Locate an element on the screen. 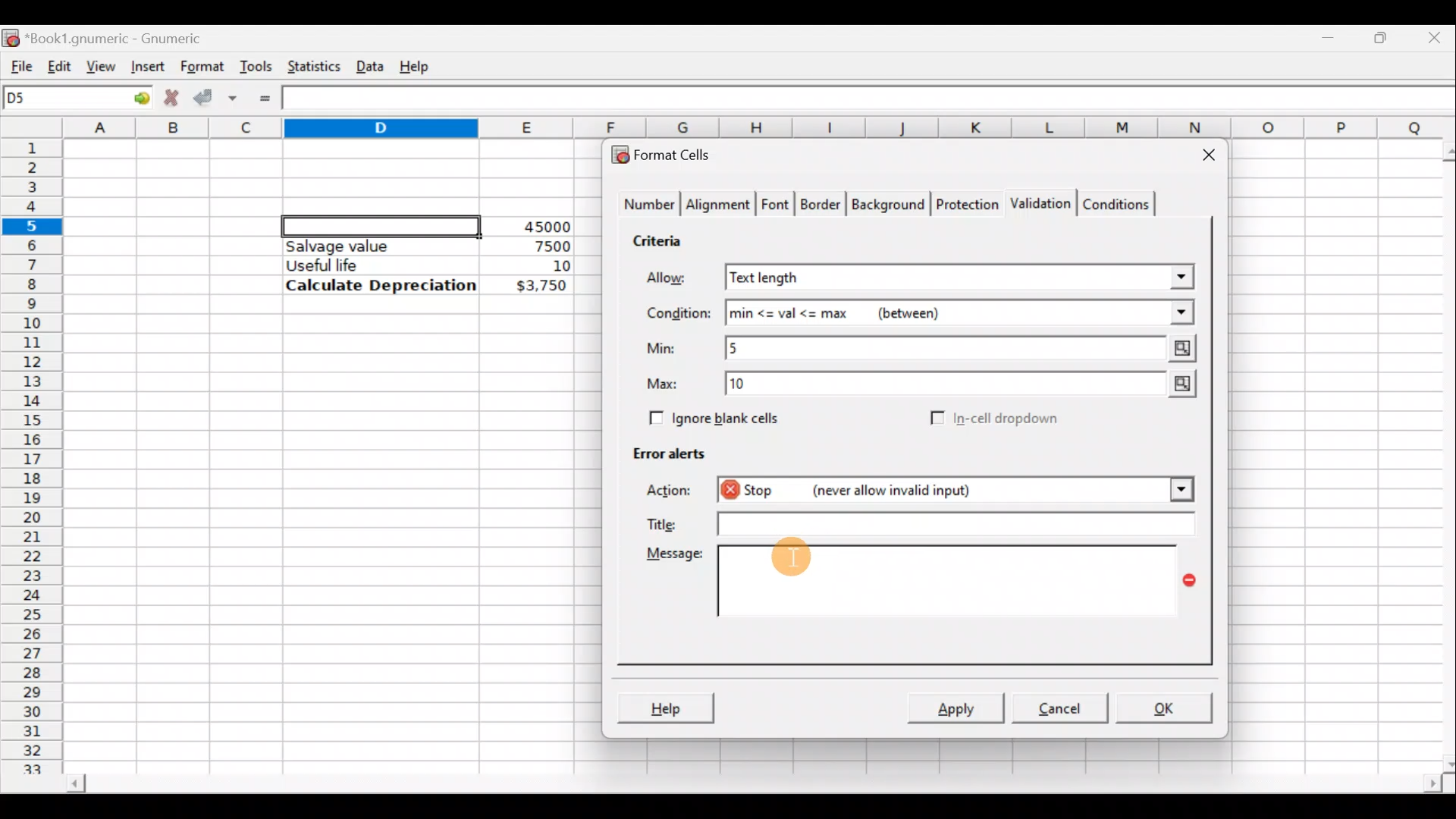  Go to is located at coordinates (136, 99).